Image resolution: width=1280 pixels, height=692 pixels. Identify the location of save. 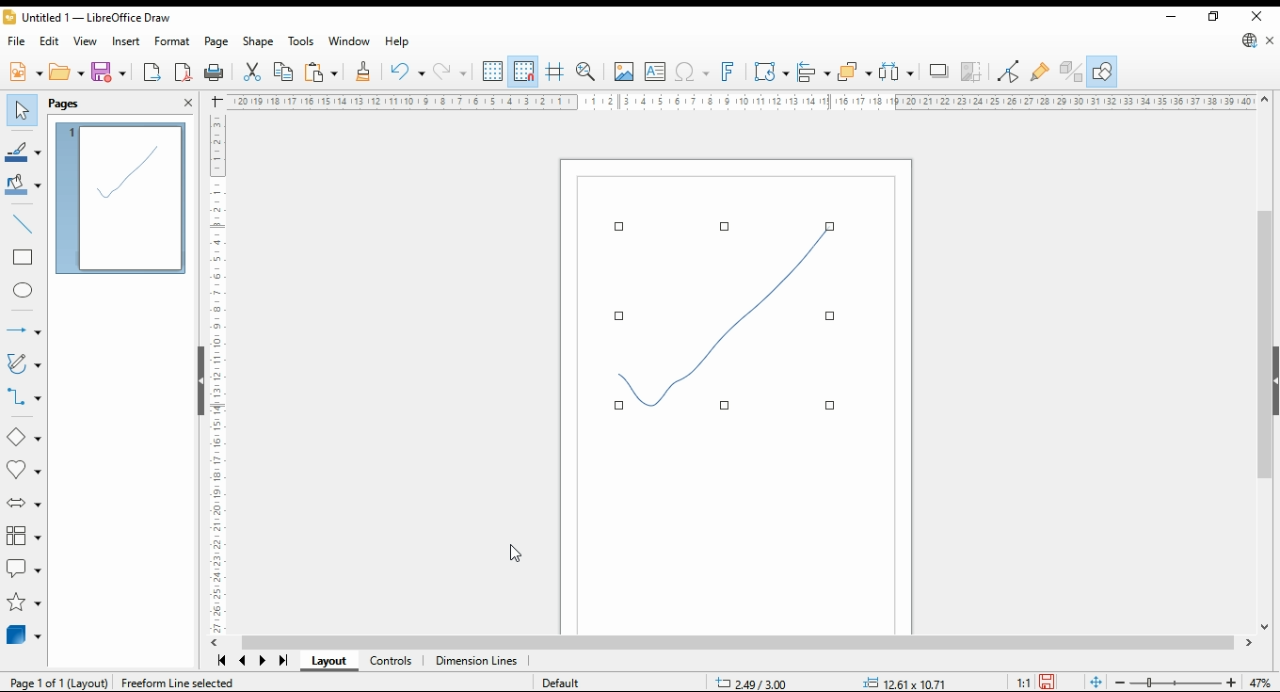
(1049, 683).